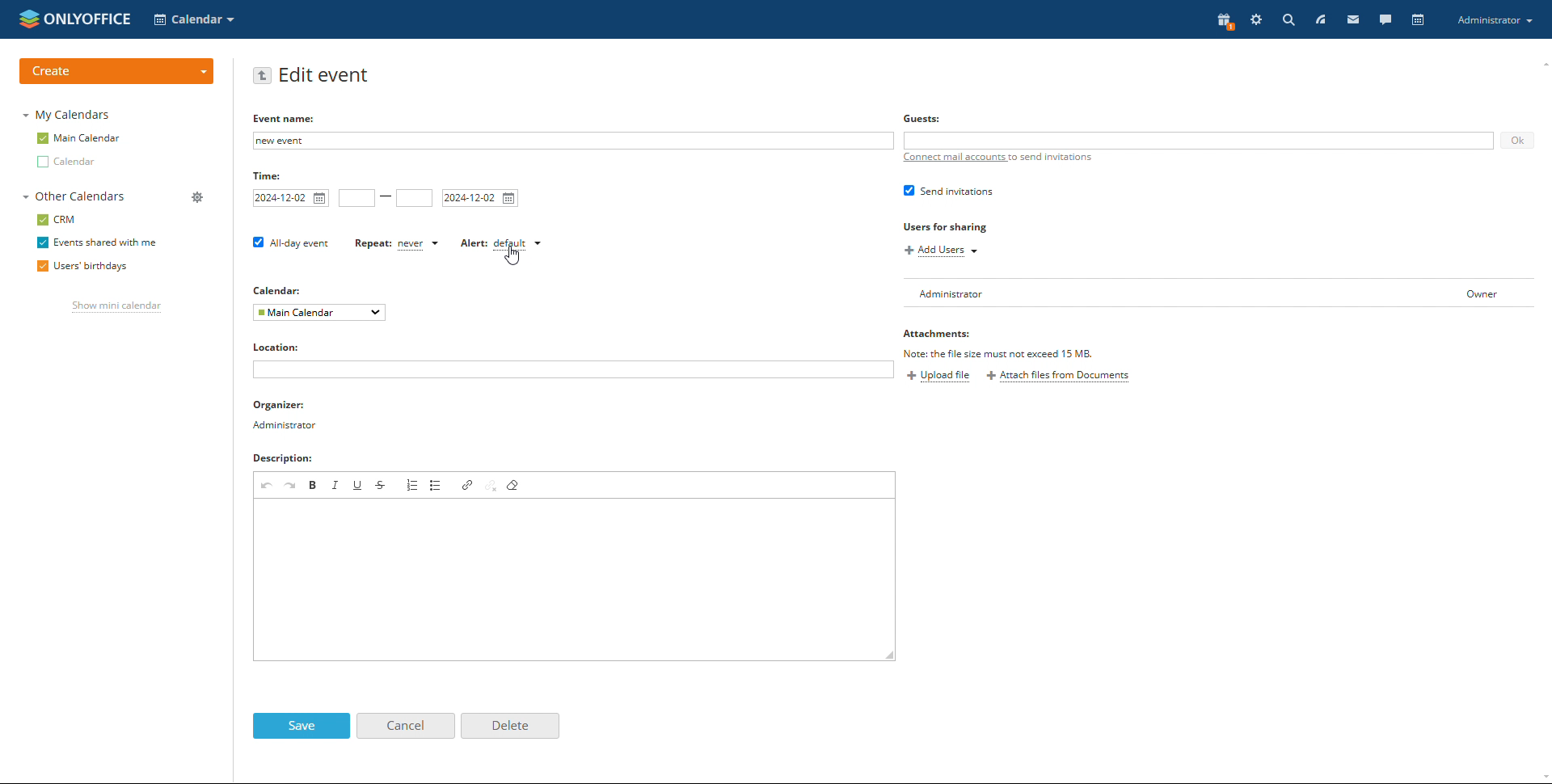 The width and height of the screenshot is (1552, 784). I want to click on EVENT NAME, so click(288, 119).